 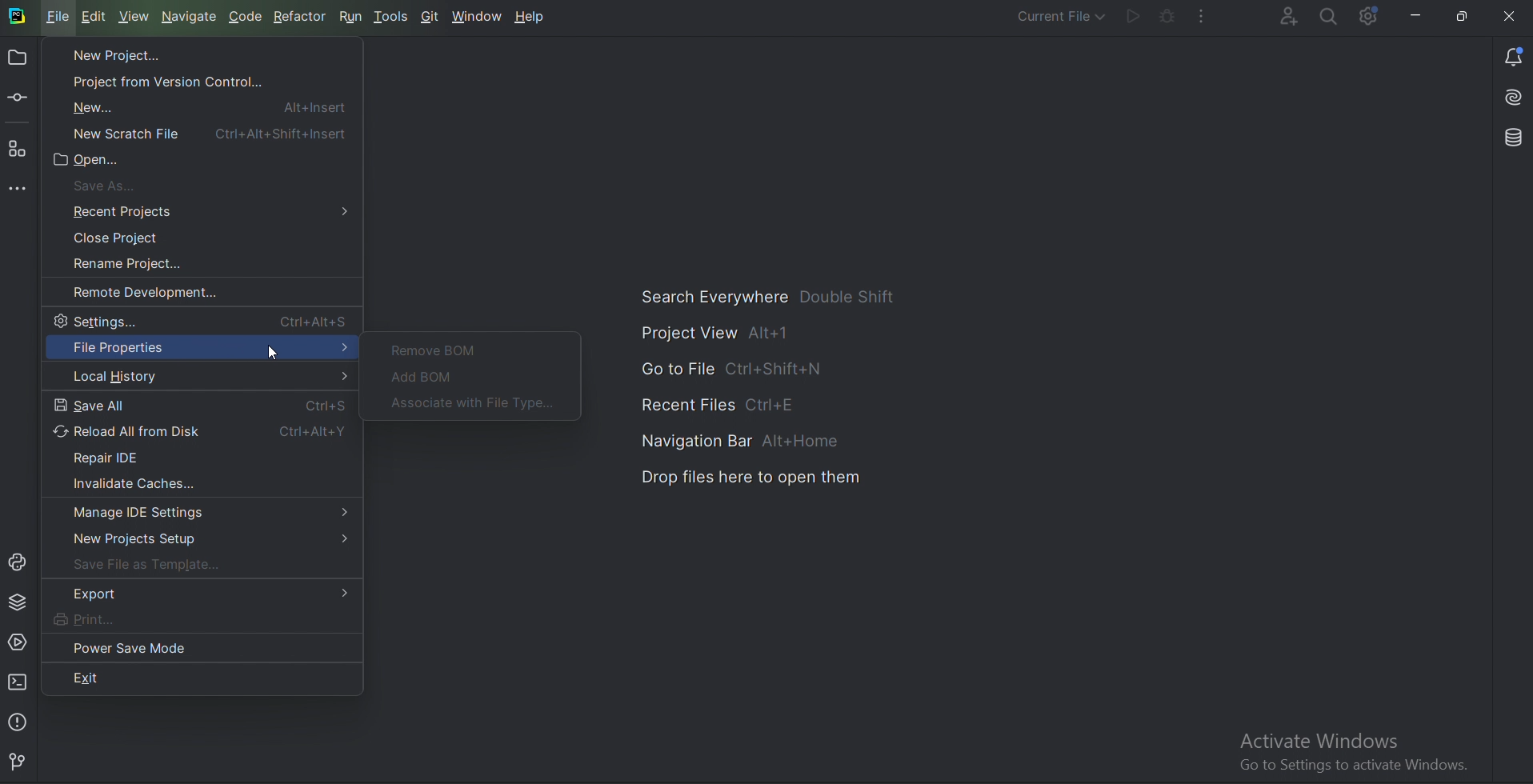 What do you see at coordinates (1167, 16) in the screenshot?
I see `Debug` at bounding box center [1167, 16].